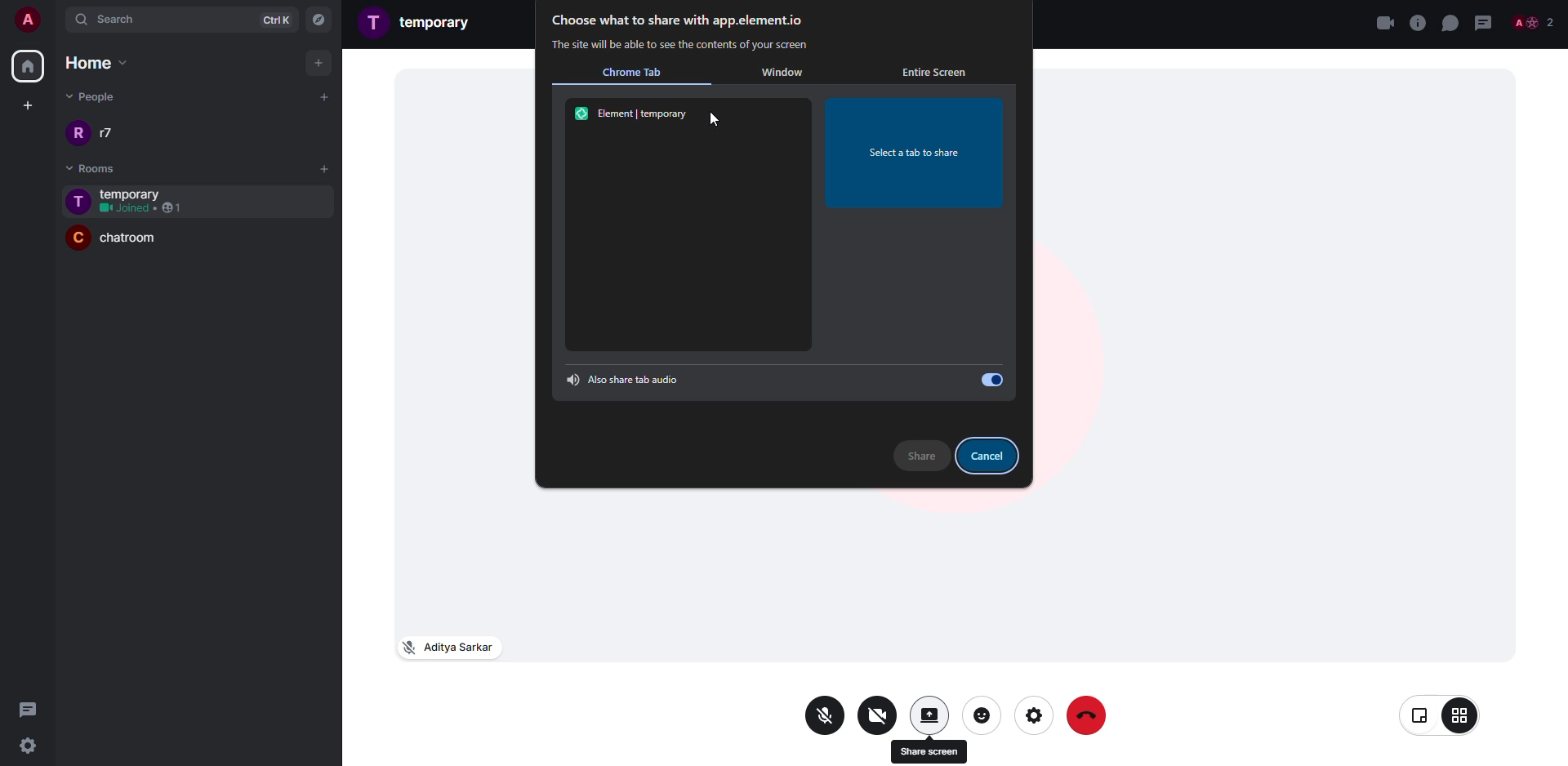 Image resolution: width=1568 pixels, height=766 pixels. What do you see at coordinates (447, 646) in the screenshot?
I see `mic off` at bounding box center [447, 646].